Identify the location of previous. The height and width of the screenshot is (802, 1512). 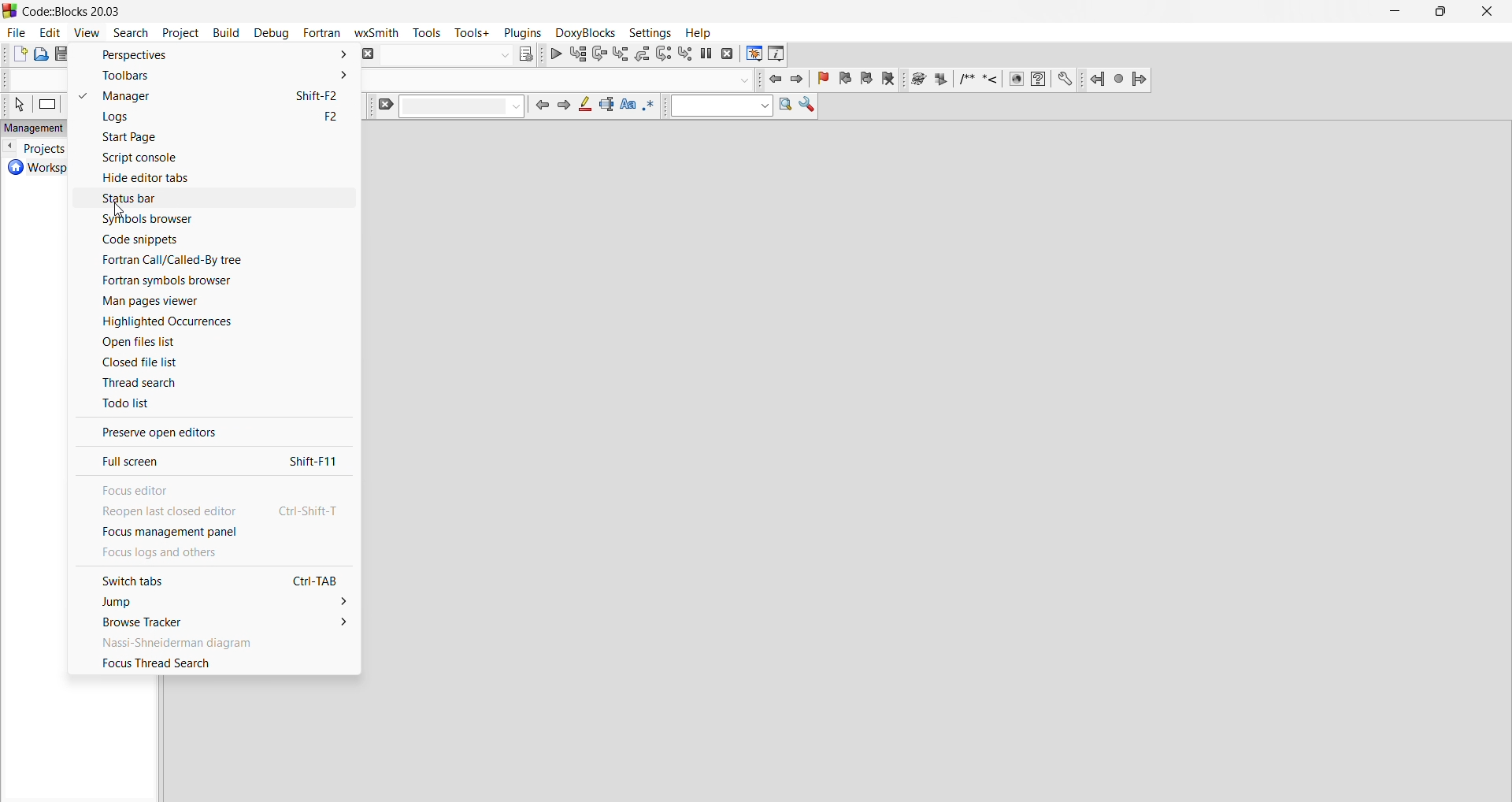
(539, 109).